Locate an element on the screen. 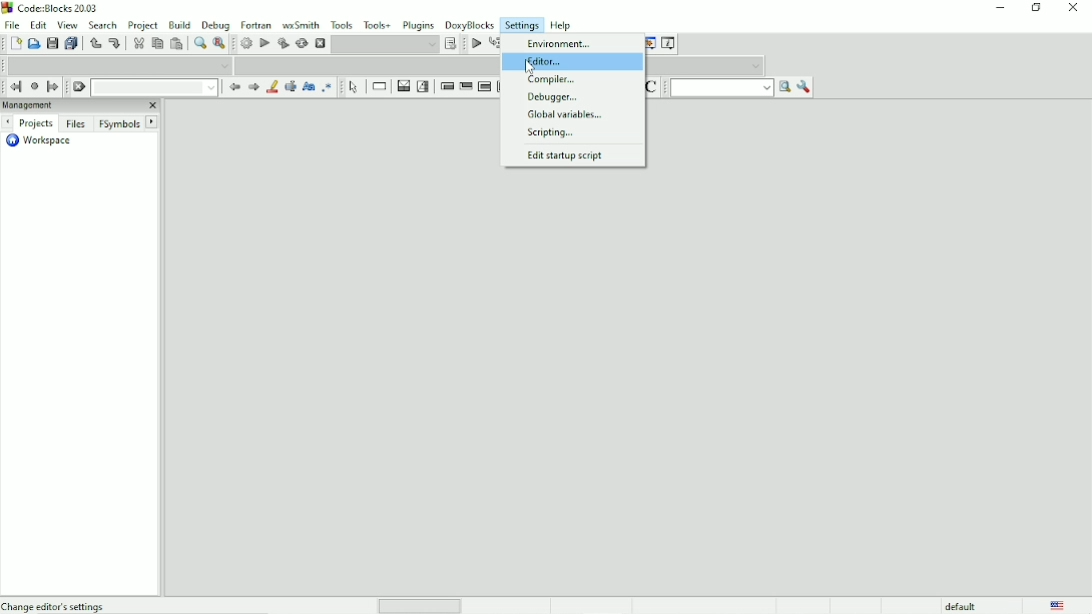 This screenshot has height=614, width=1092. Debugger is located at coordinates (567, 98).